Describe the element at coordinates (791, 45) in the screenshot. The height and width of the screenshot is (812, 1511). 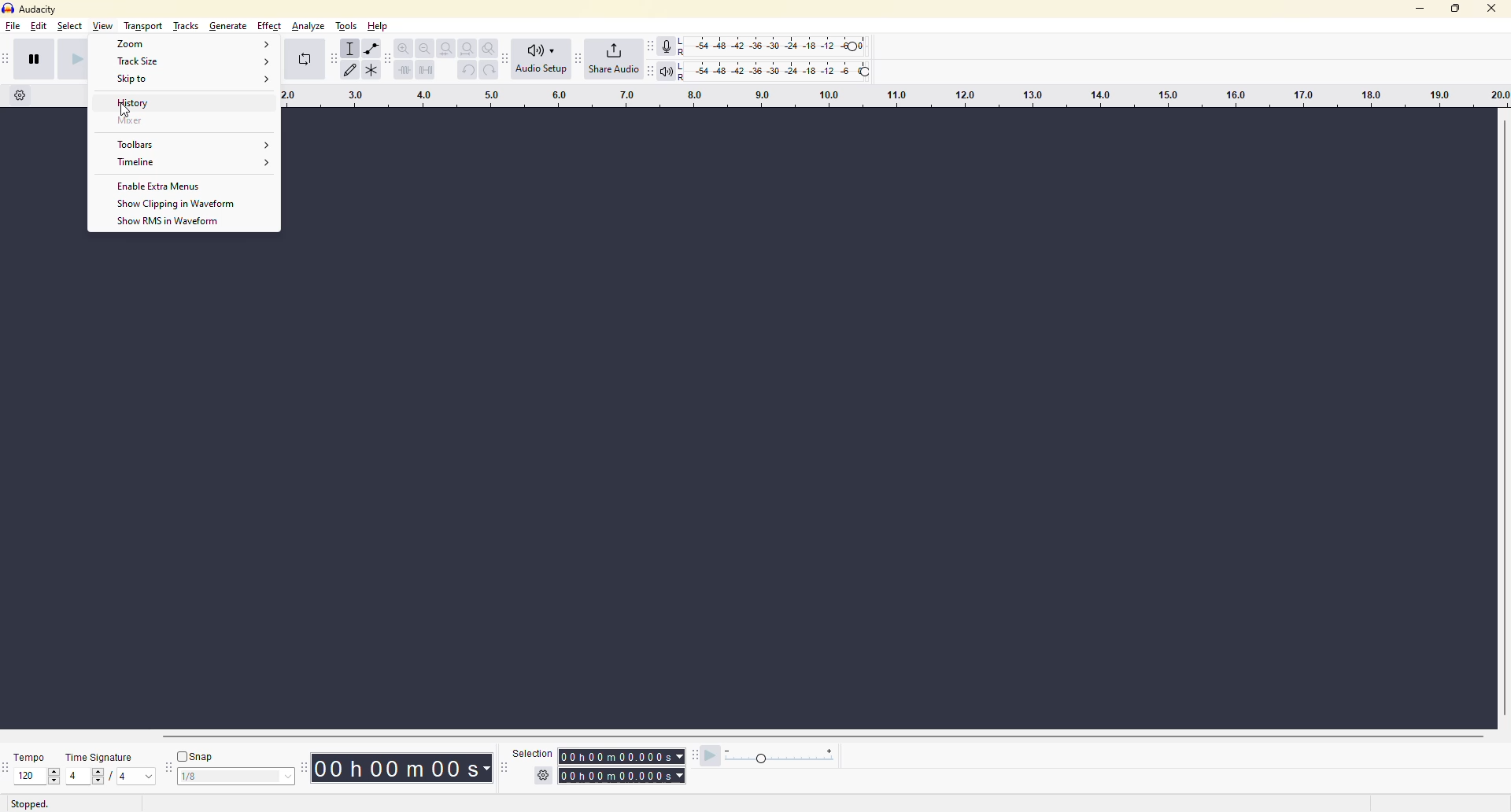
I see `recording level` at that location.